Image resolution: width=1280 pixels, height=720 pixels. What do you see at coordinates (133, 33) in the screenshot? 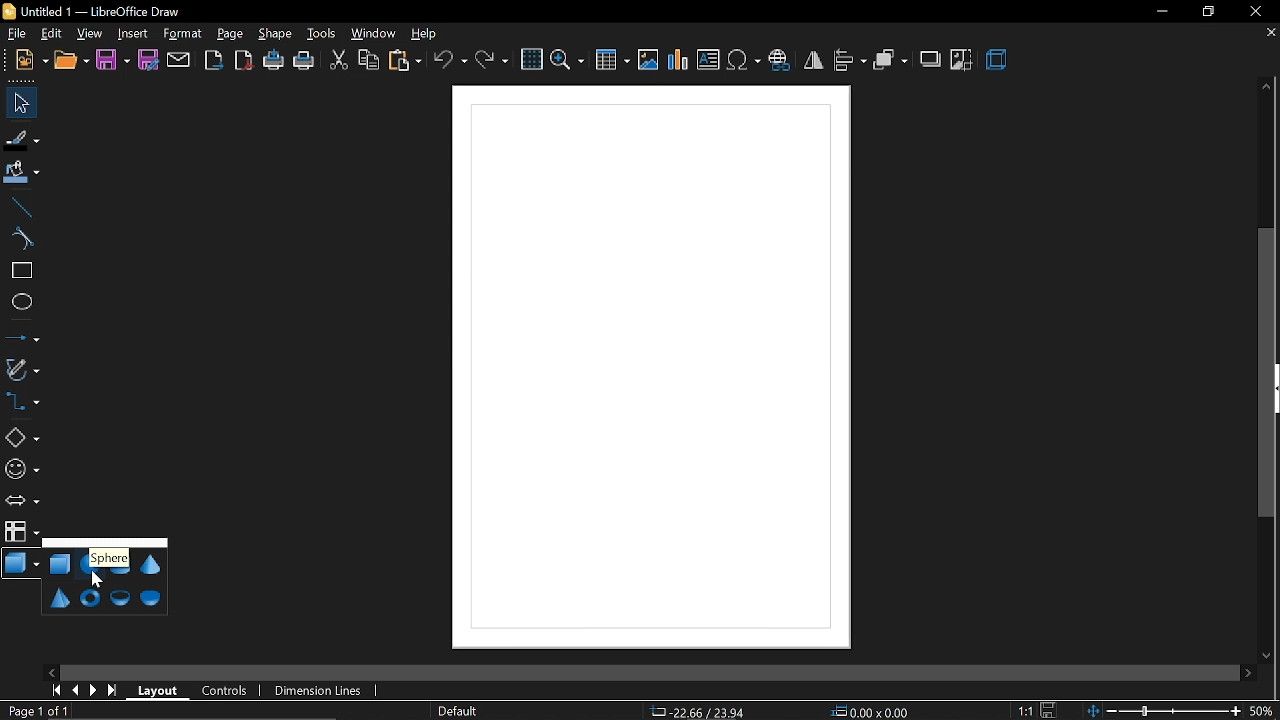
I see `insert` at bounding box center [133, 33].